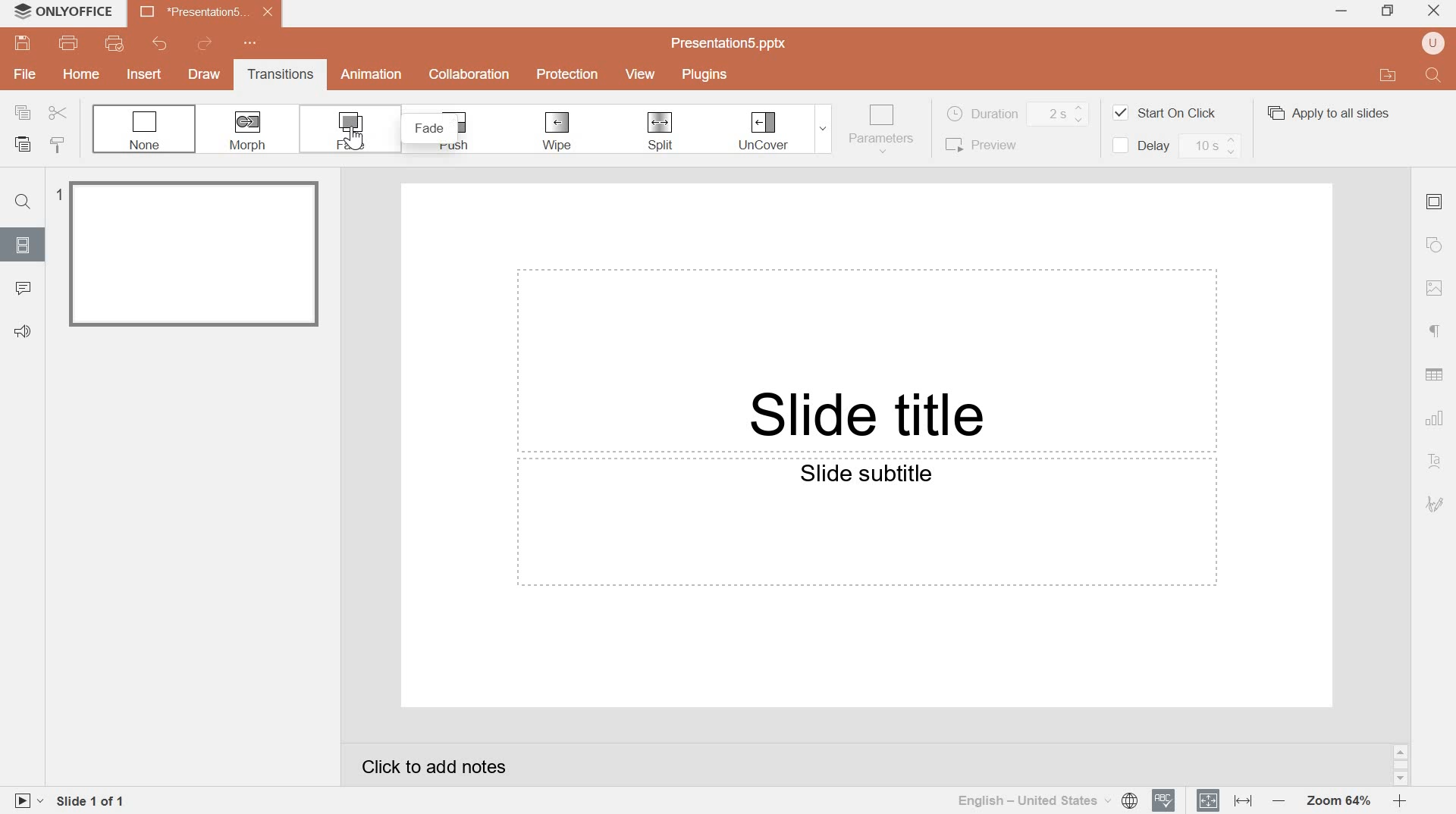 This screenshot has width=1456, height=814. What do you see at coordinates (1434, 202) in the screenshot?
I see `slide settings` at bounding box center [1434, 202].